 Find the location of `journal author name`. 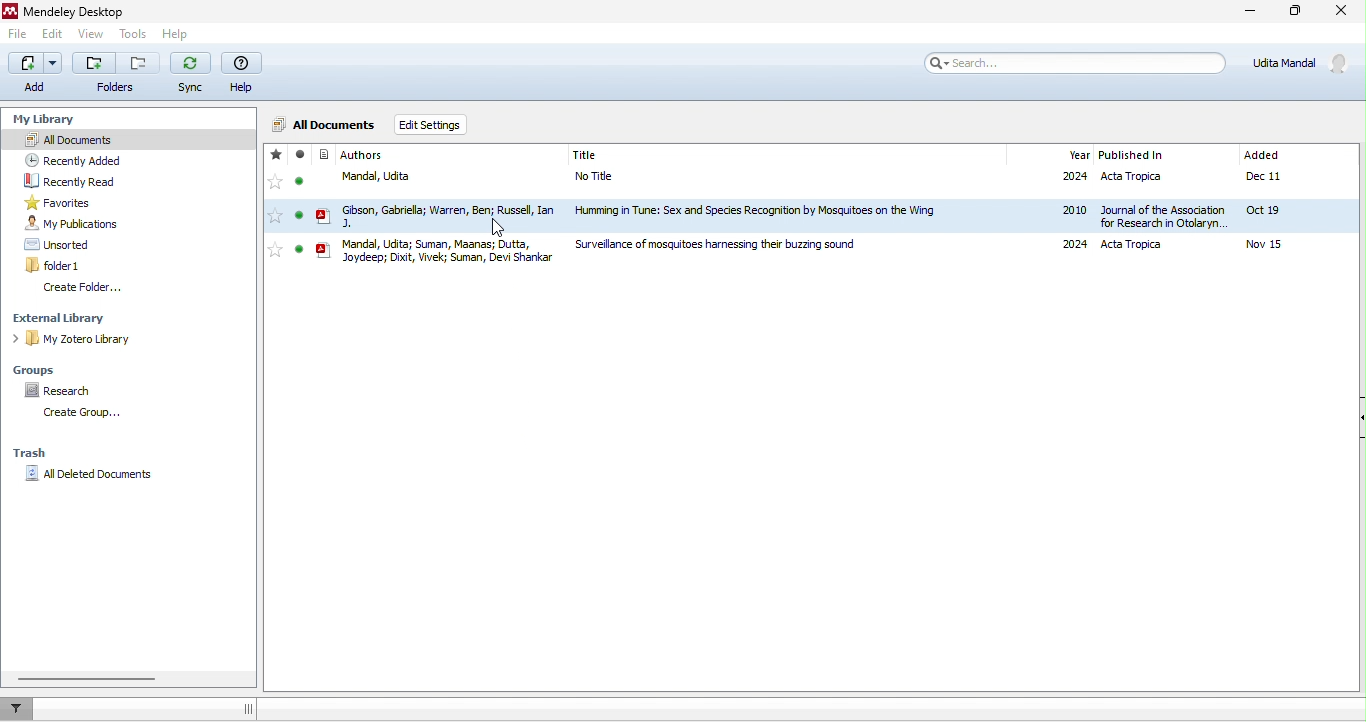

journal author name is located at coordinates (366, 155).